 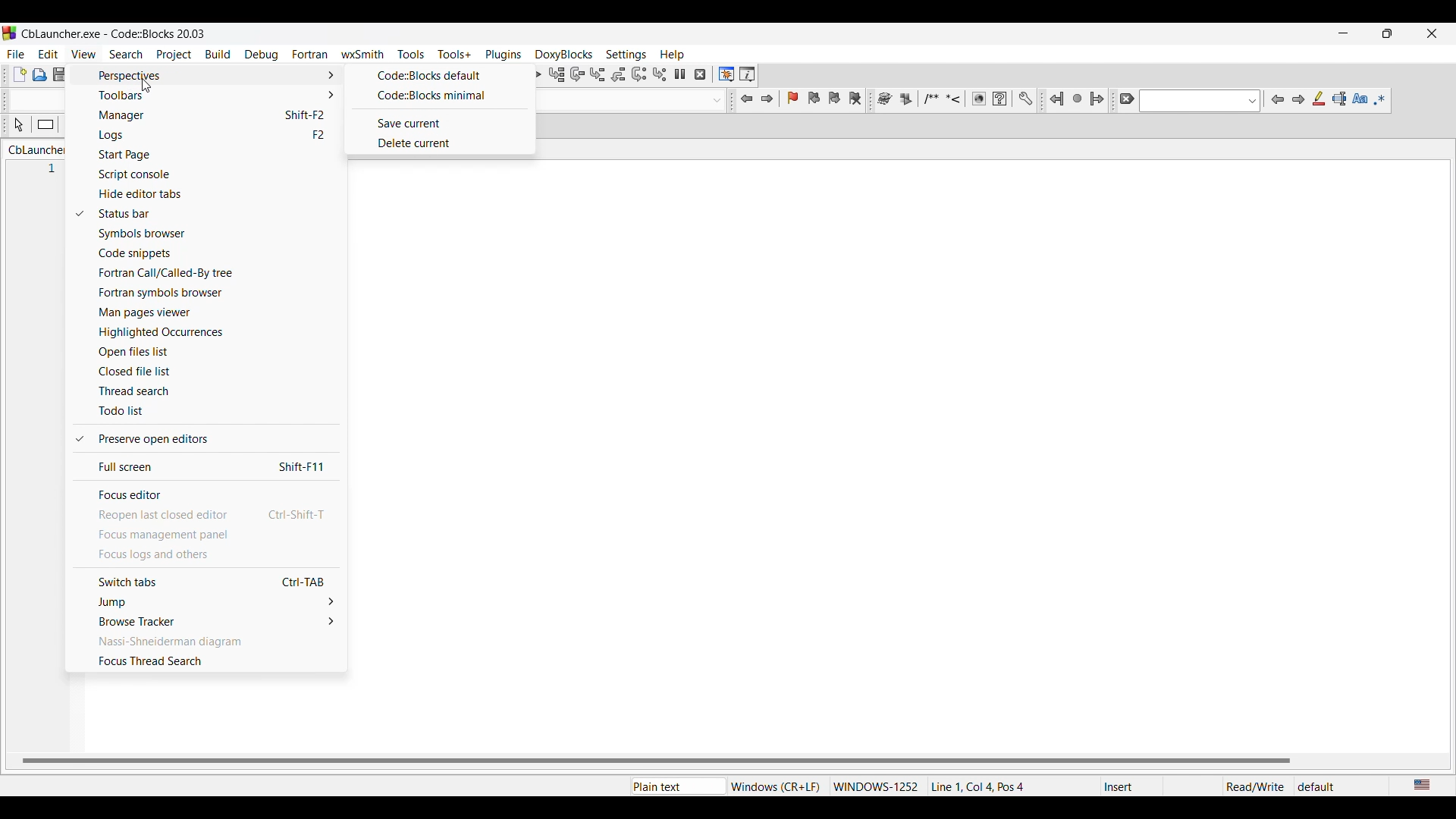 What do you see at coordinates (619, 74) in the screenshot?
I see `Step out` at bounding box center [619, 74].